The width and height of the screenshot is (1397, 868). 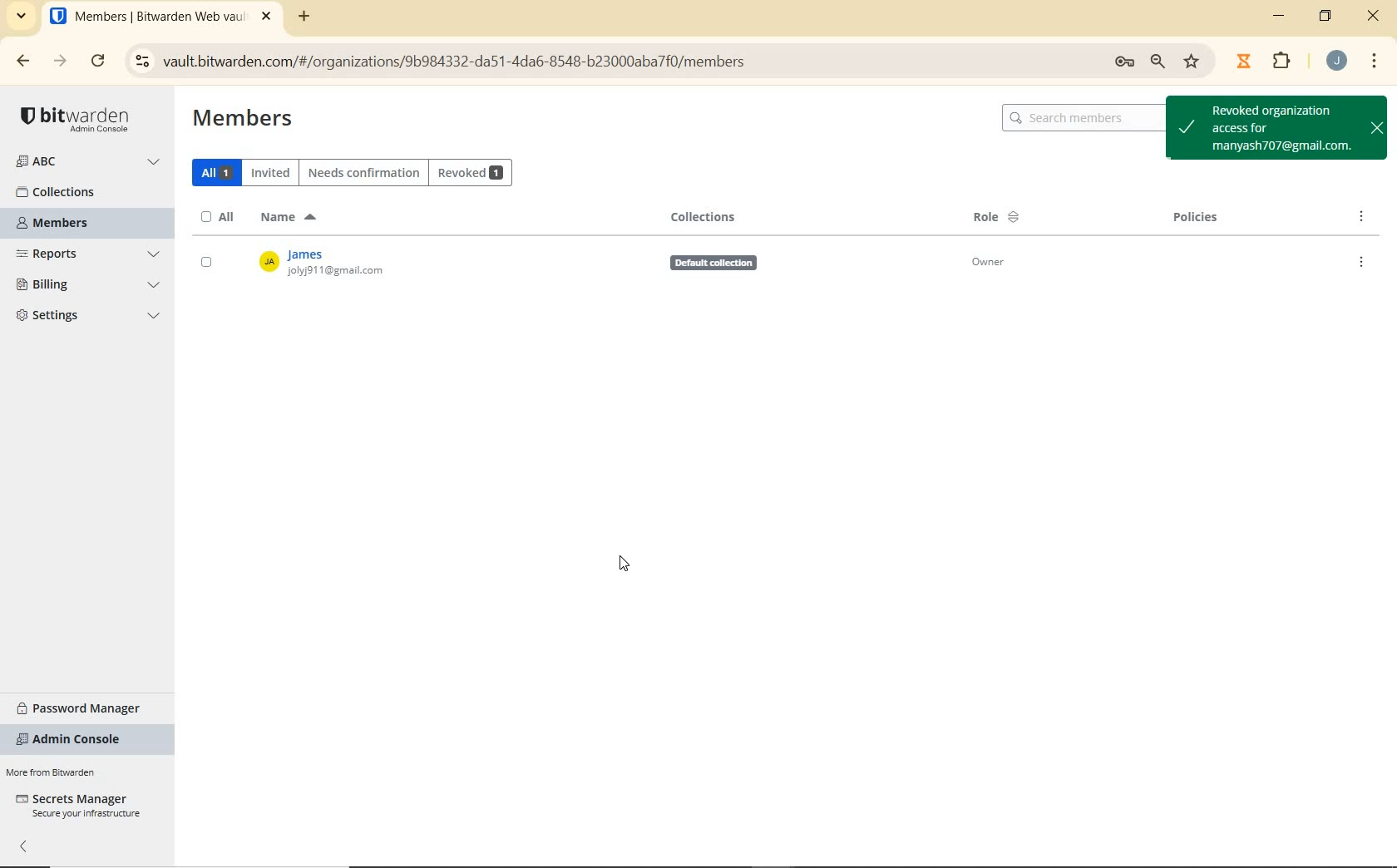 What do you see at coordinates (218, 217) in the screenshot?
I see `` at bounding box center [218, 217].